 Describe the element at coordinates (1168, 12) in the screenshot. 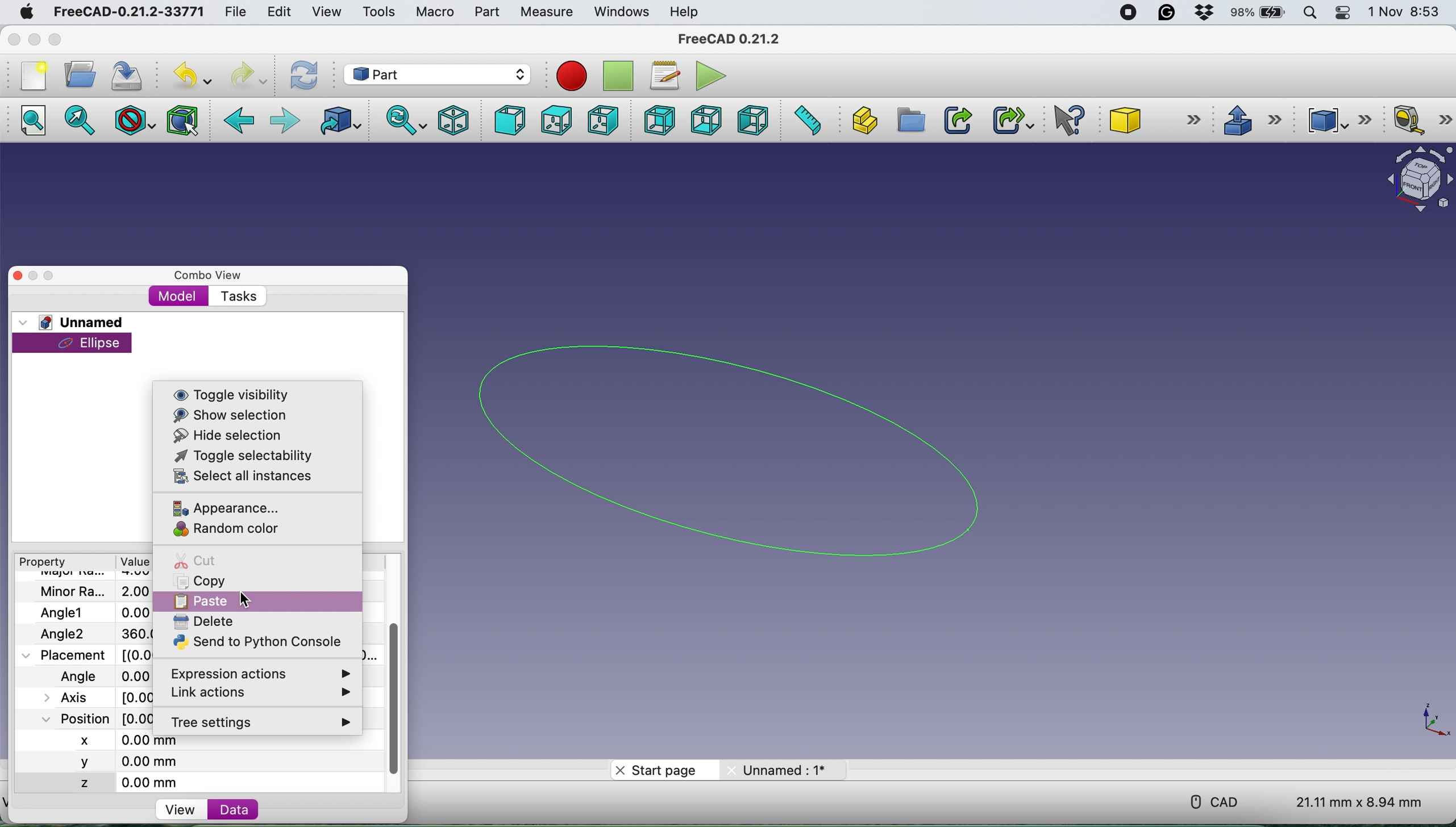

I see `grammarly` at that location.